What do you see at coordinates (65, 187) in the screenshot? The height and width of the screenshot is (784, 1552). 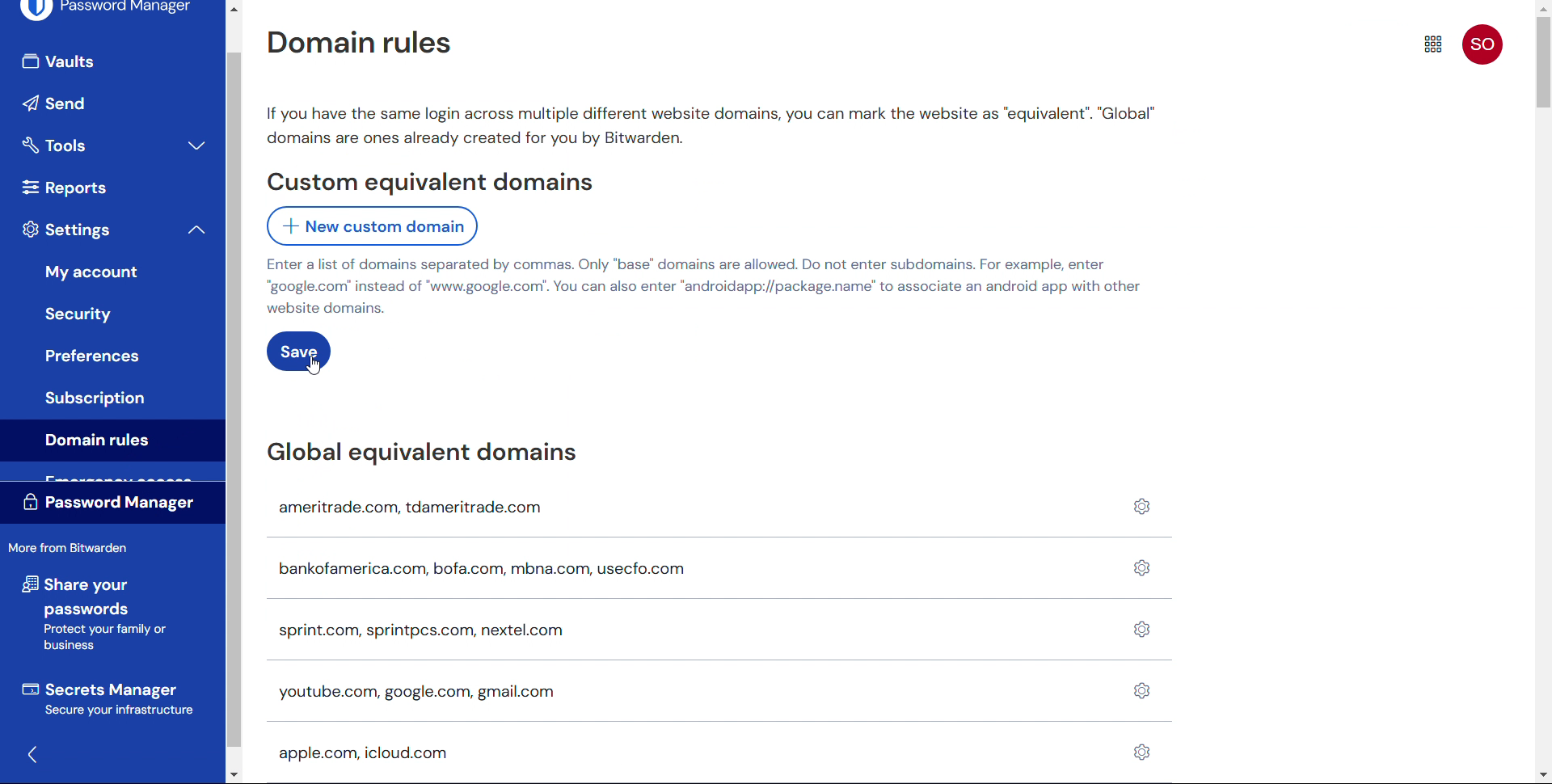 I see `reports ` at bounding box center [65, 187].